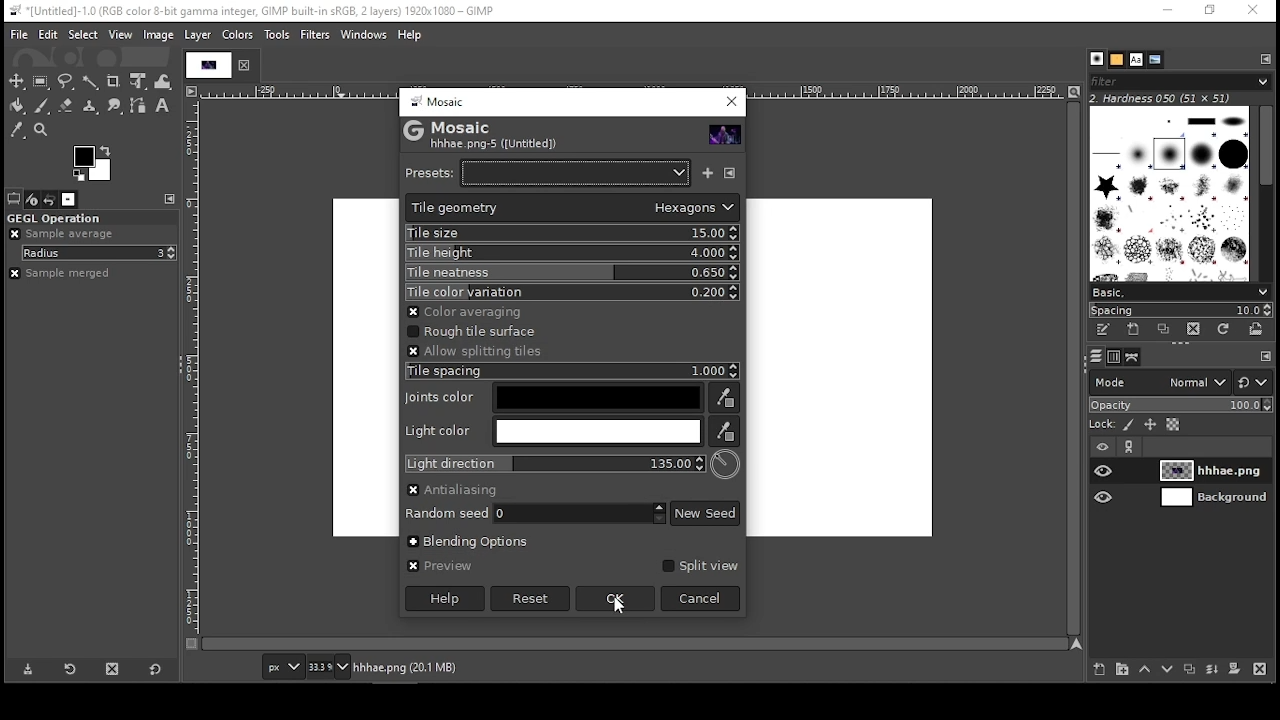 The height and width of the screenshot is (720, 1280). Describe the element at coordinates (450, 100) in the screenshot. I see `mosaic` at that location.